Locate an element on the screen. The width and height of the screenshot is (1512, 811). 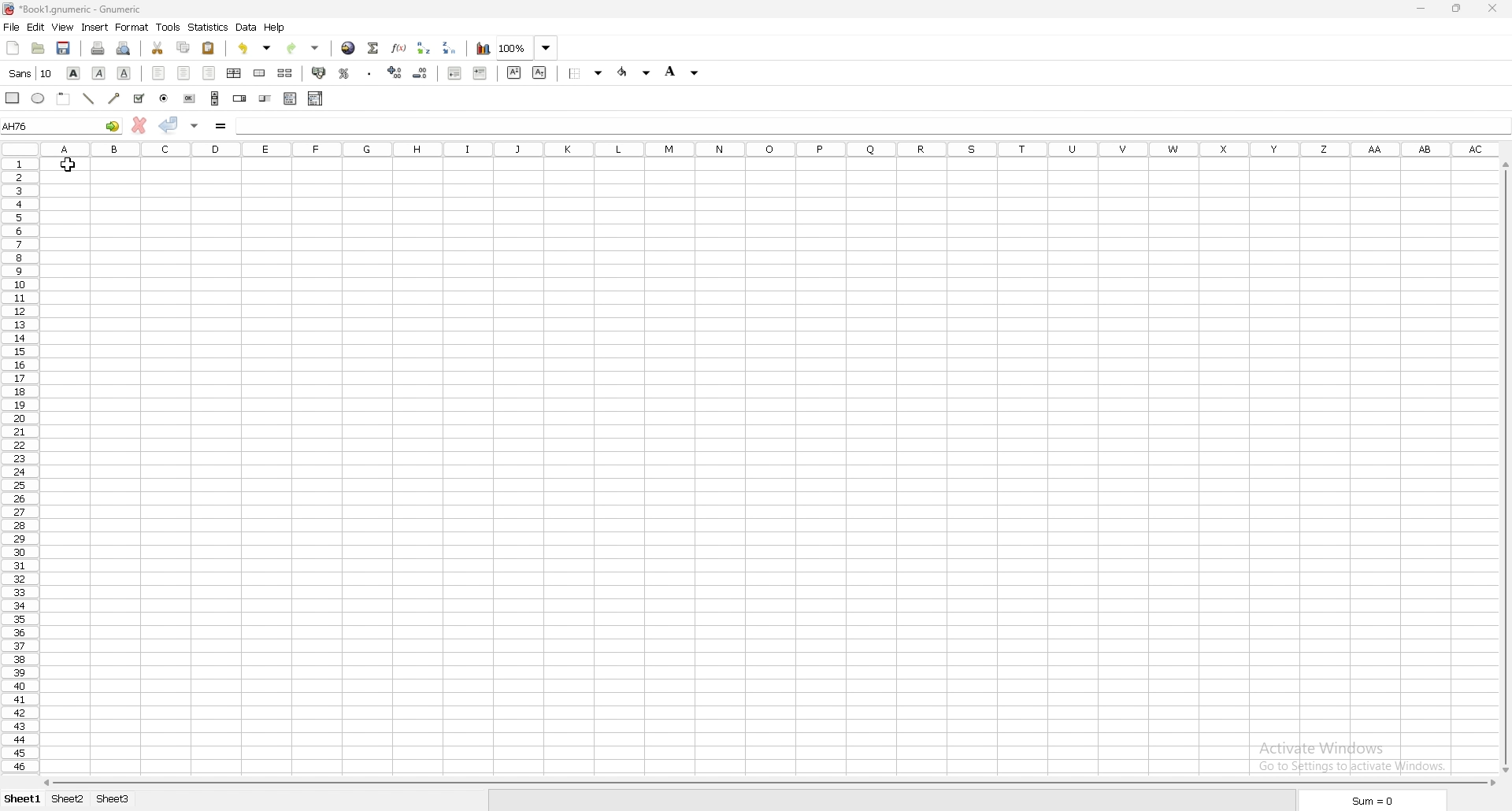
bold is located at coordinates (72, 73).